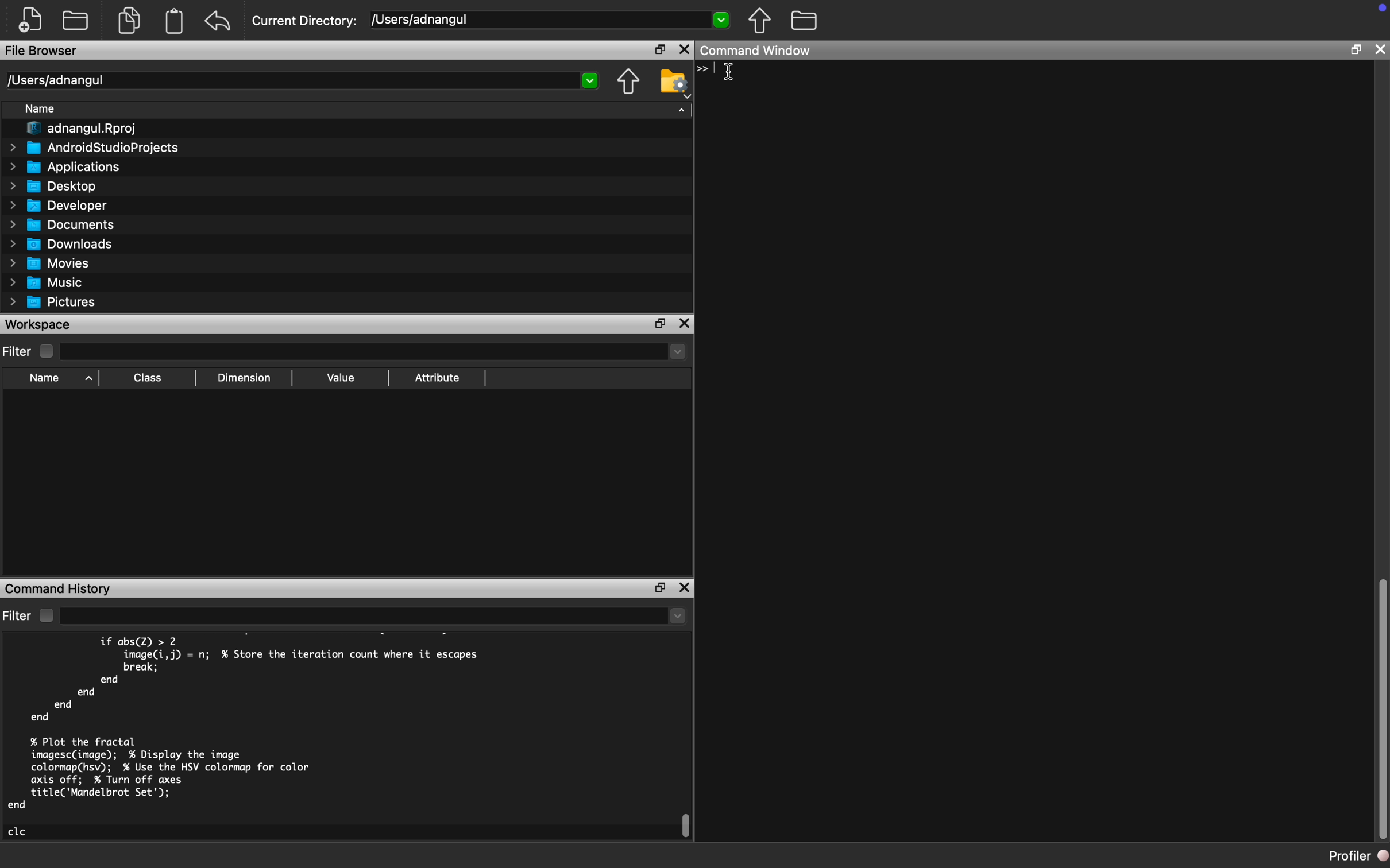 Image resolution: width=1390 pixels, height=868 pixels. I want to click on Scroll, so click(687, 826).